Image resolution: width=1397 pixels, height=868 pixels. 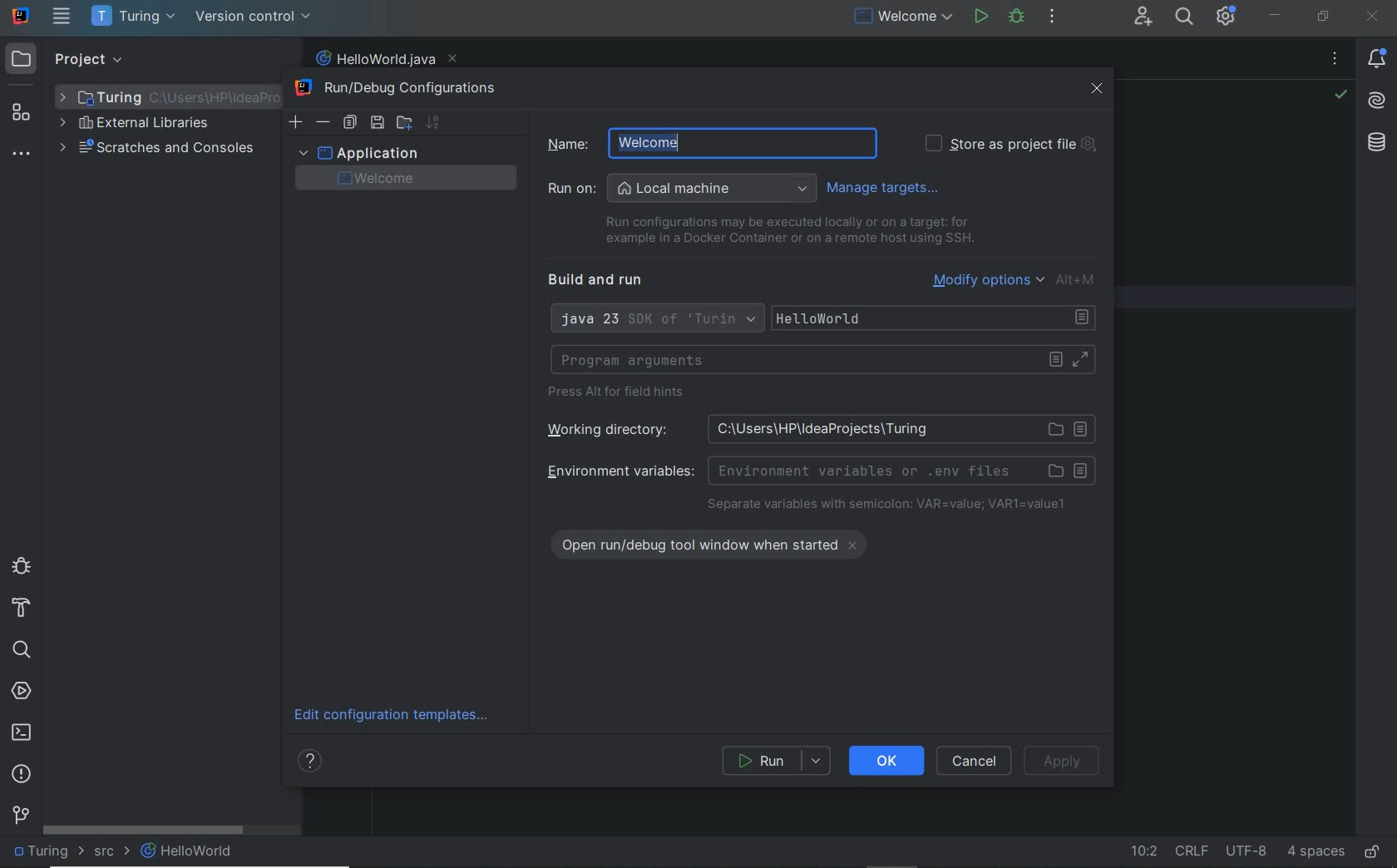 What do you see at coordinates (887, 187) in the screenshot?
I see `manage targets` at bounding box center [887, 187].